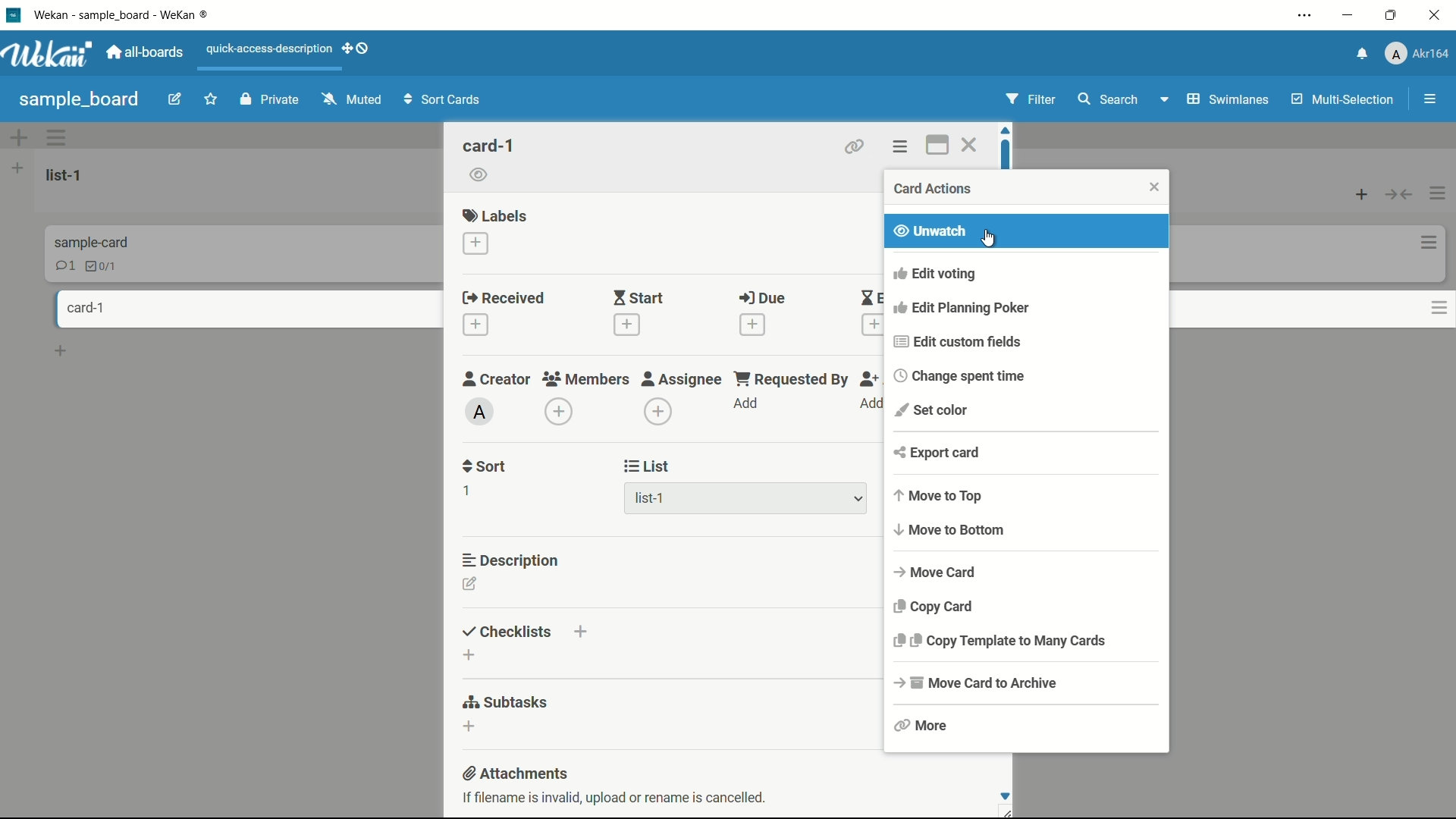  I want to click on unwatch, so click(930, 231).